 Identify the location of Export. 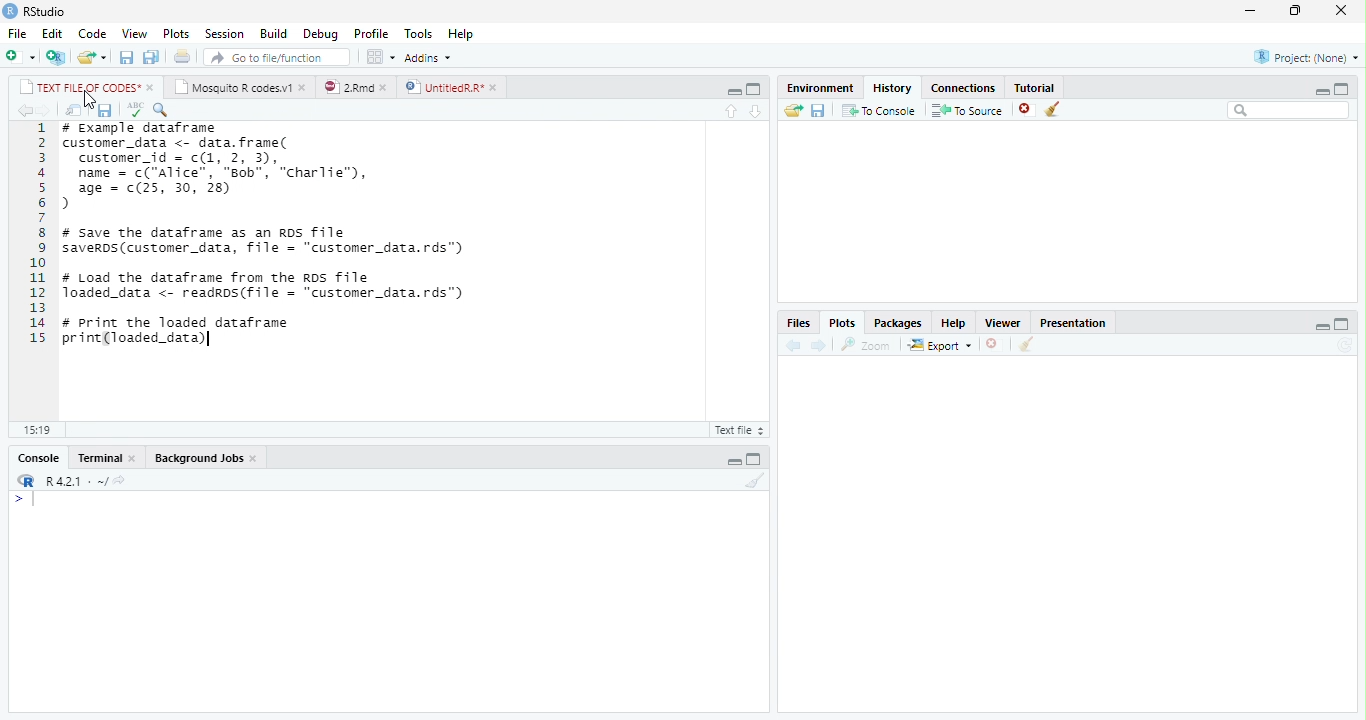
(939, 345).